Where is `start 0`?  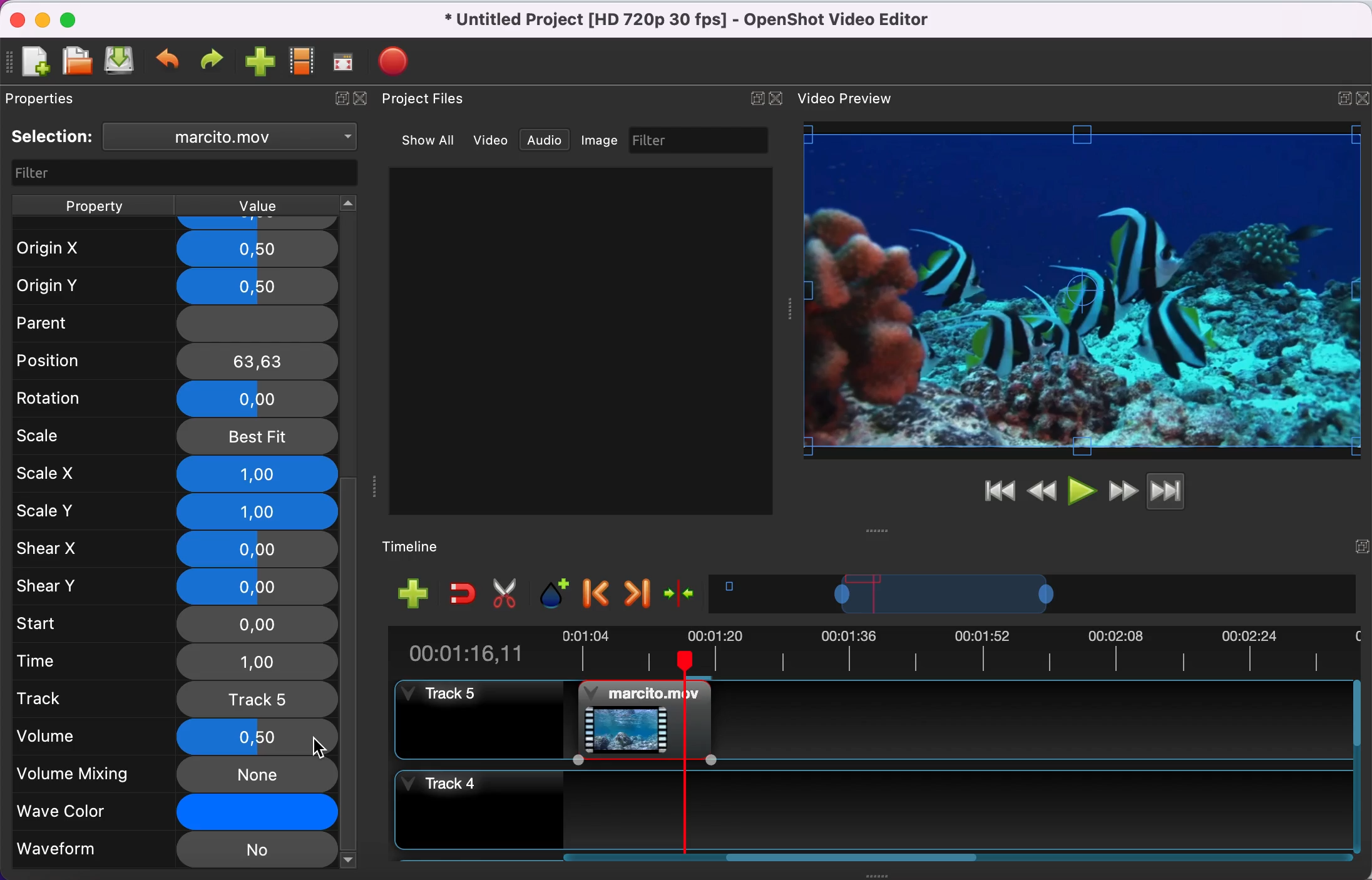
start 0 is located at coordinates (174, 623).